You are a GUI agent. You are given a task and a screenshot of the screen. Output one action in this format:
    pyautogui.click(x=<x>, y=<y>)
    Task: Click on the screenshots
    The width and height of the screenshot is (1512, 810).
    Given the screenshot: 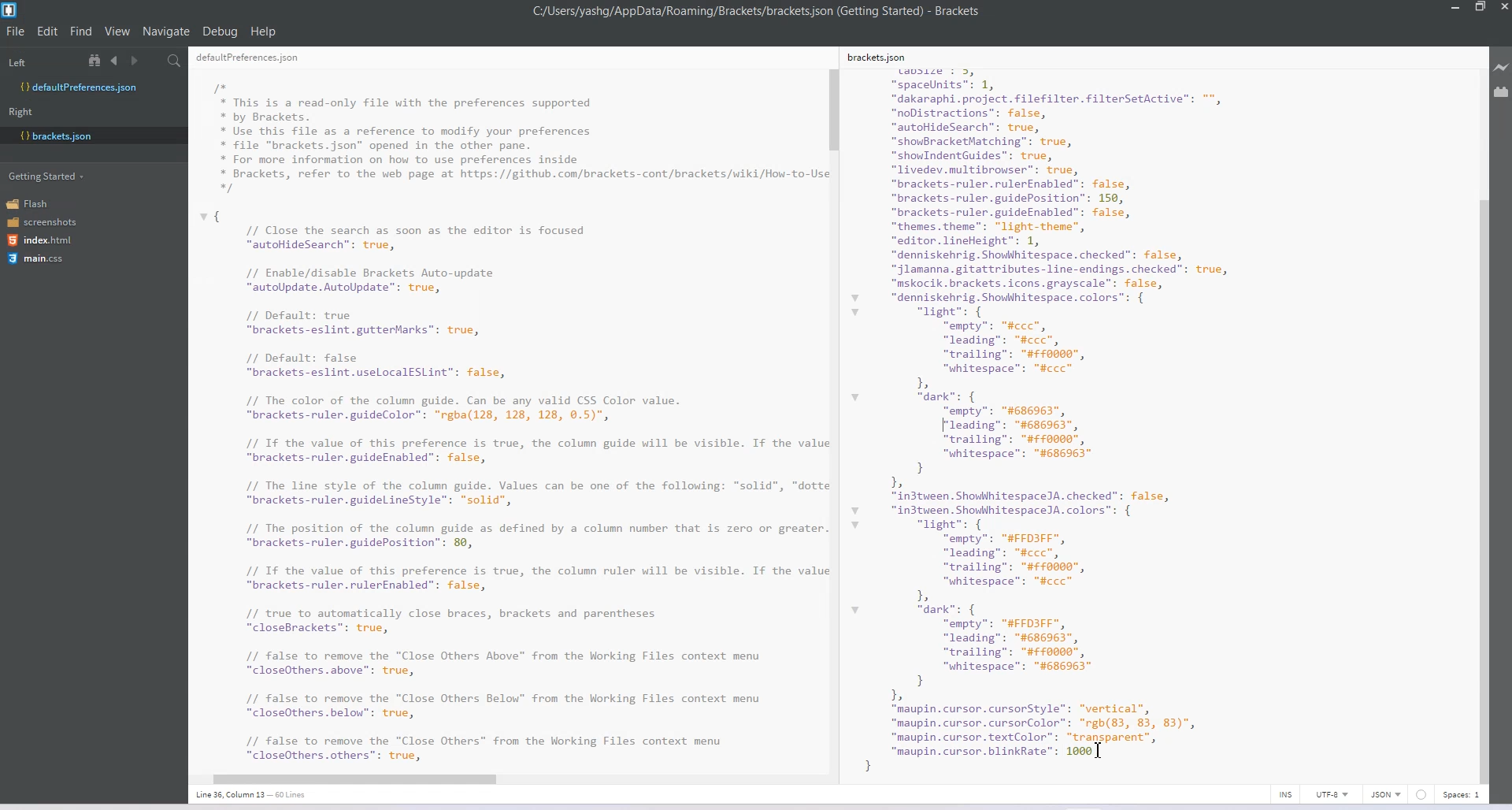 What is the action you would take?
    pyautogui.click(x=43, y=223)
    